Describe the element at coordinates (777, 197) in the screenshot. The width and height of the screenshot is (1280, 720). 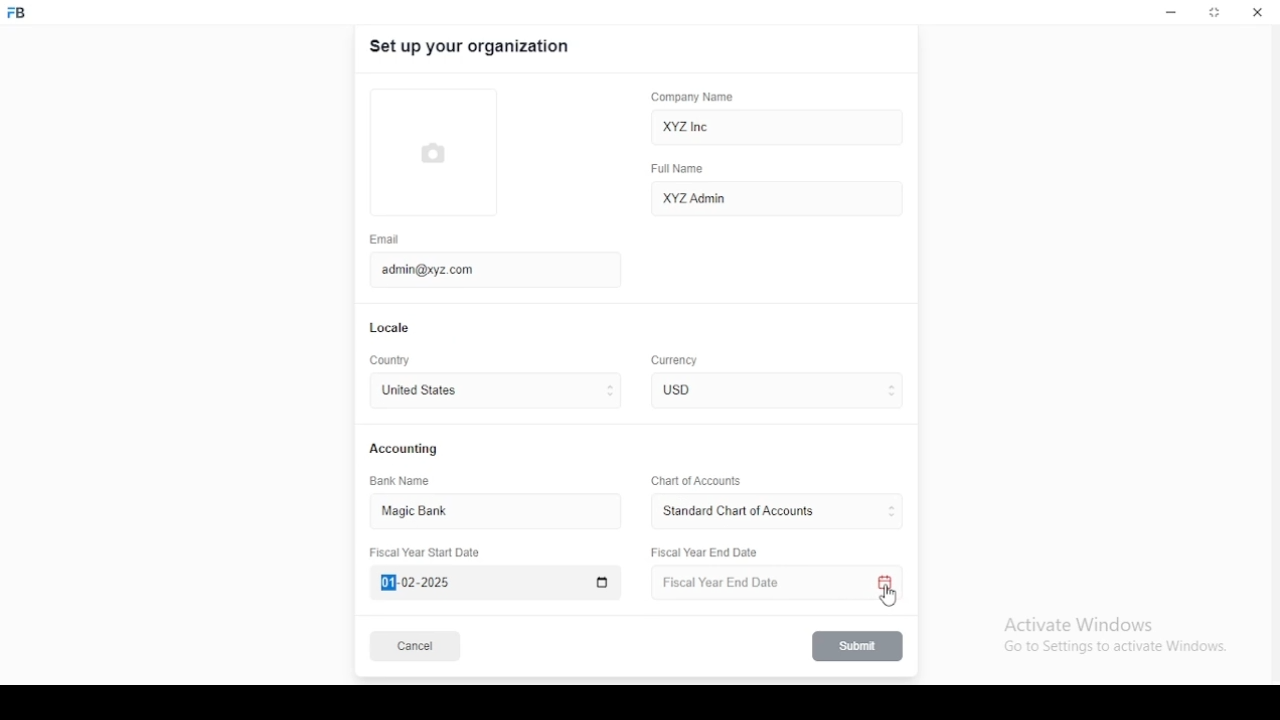
I see `XYZ Admin` at that location.